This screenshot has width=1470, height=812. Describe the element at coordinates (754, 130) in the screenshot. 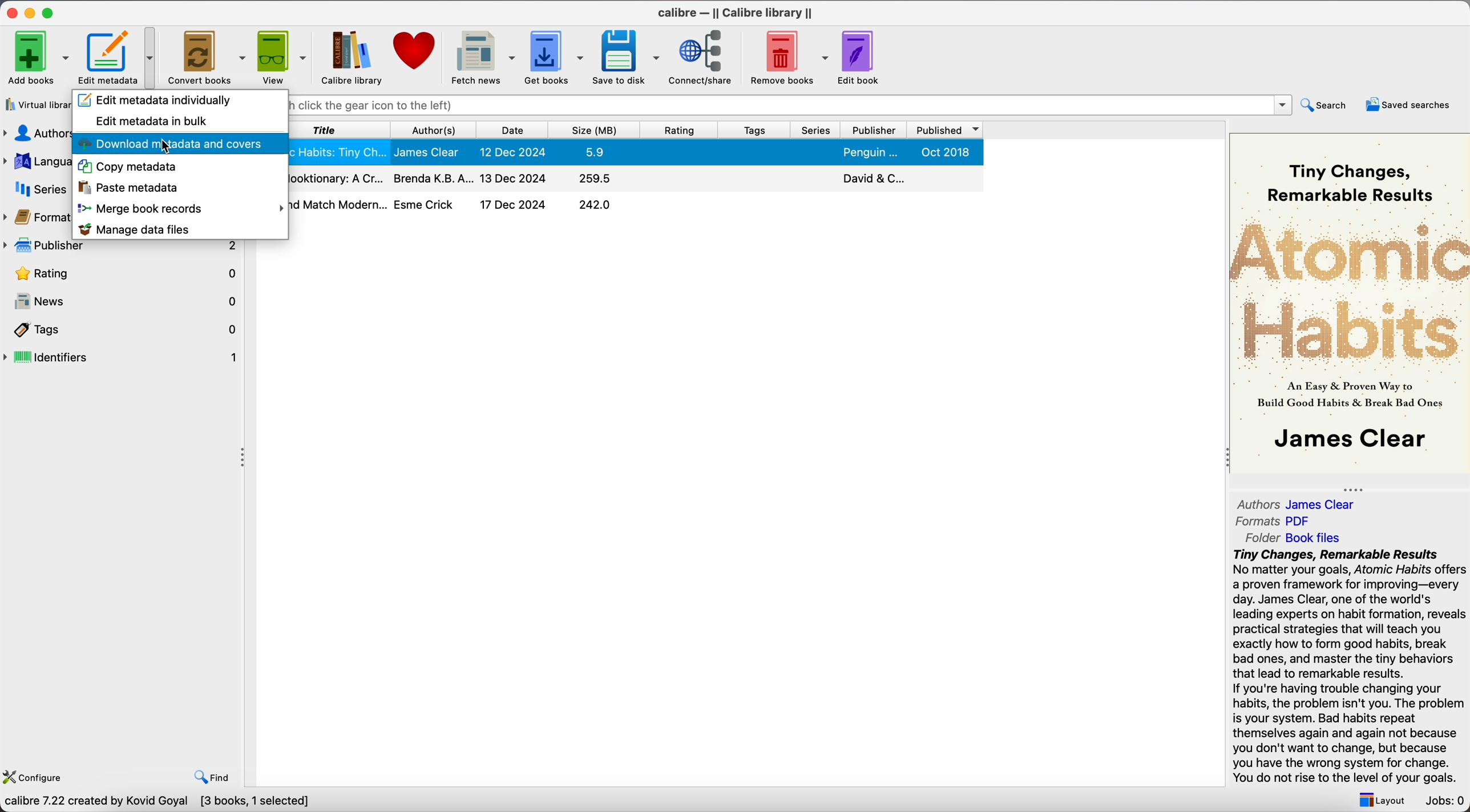

I see `tags` at that location.